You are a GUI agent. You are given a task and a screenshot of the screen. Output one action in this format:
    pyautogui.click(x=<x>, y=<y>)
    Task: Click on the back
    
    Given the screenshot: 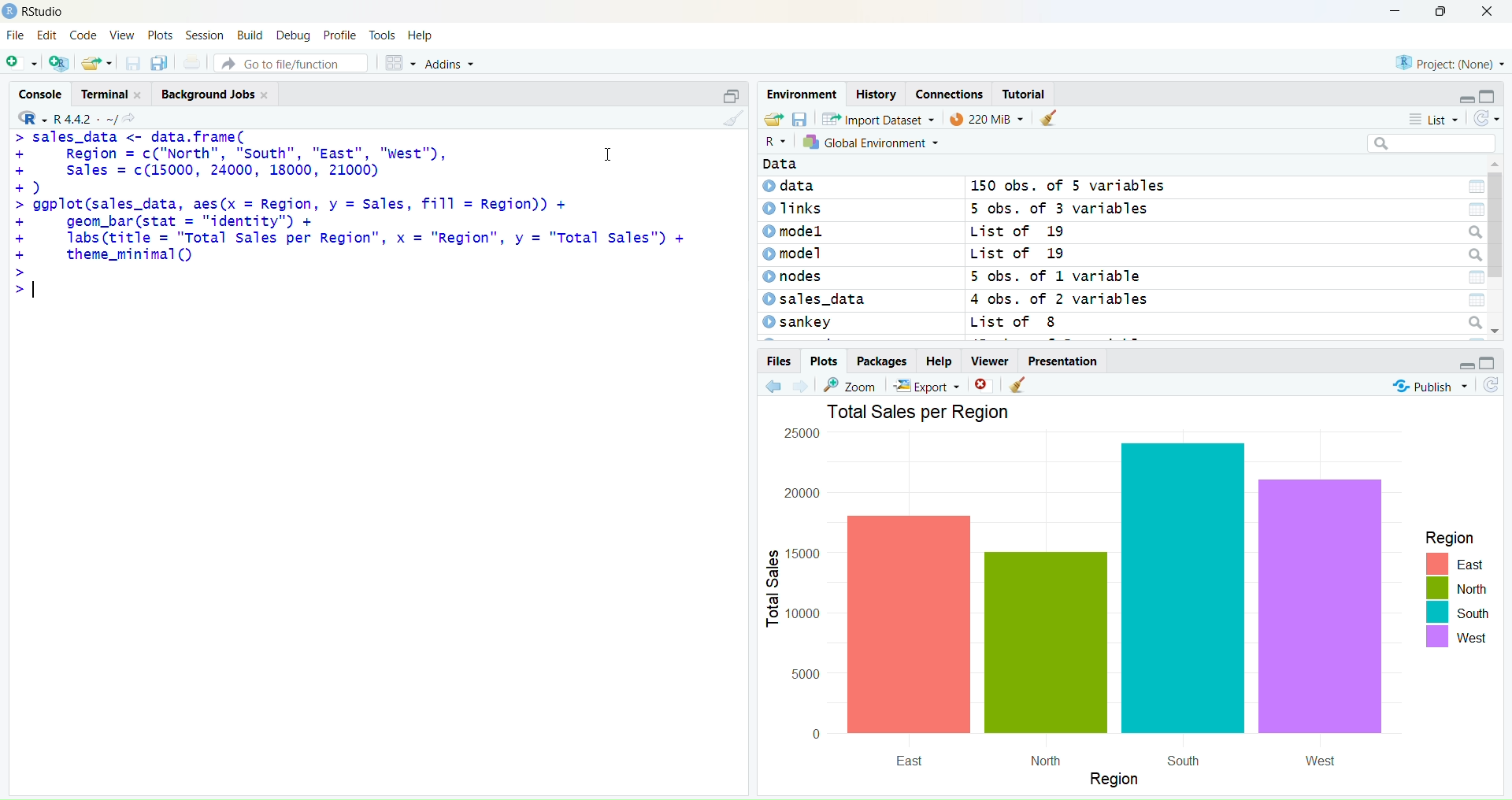 What is the action you would take?
    pyautogui.click(x=776, y=386)
    